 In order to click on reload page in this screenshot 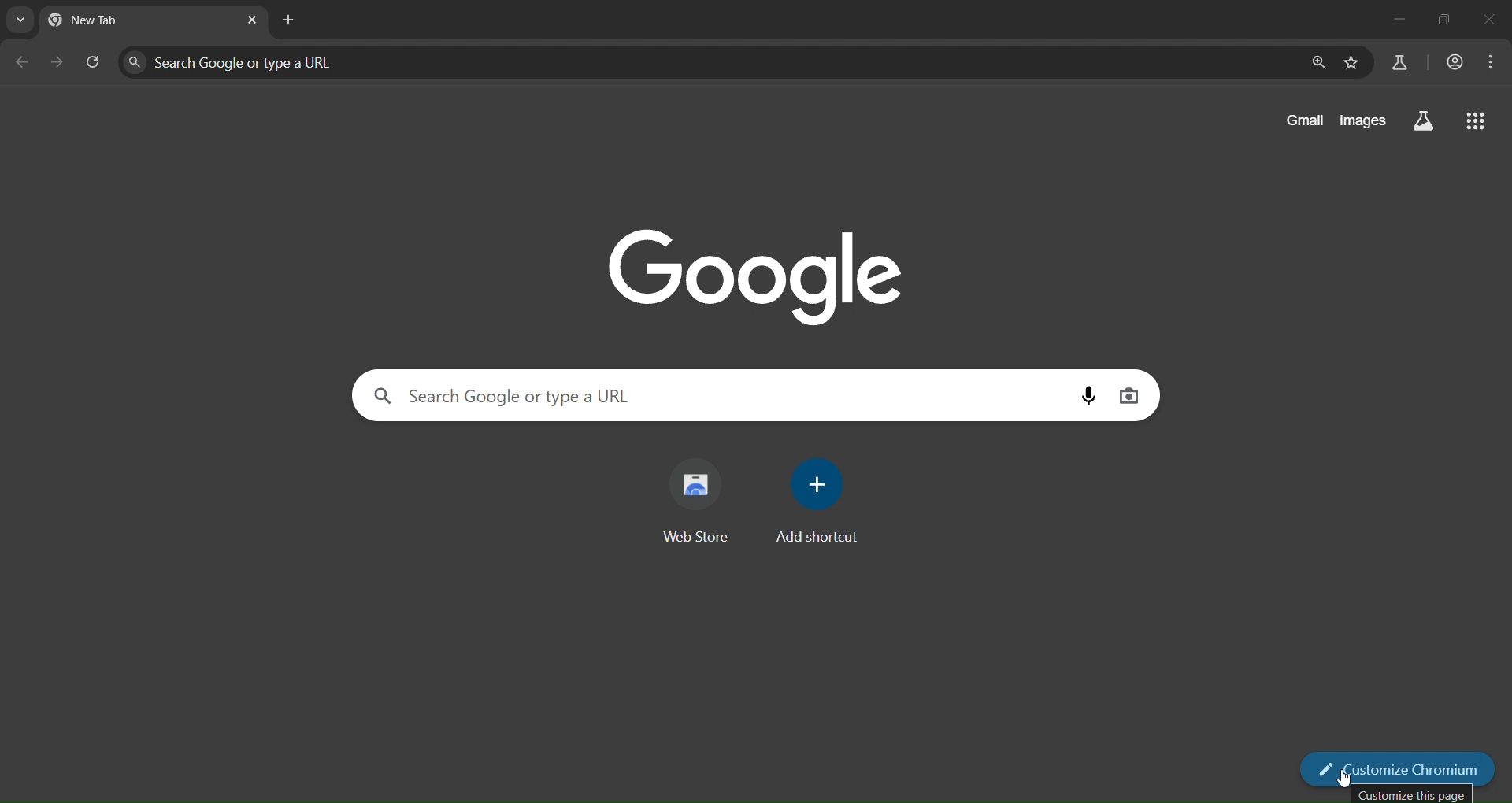, I will do `click(93, 60)`.